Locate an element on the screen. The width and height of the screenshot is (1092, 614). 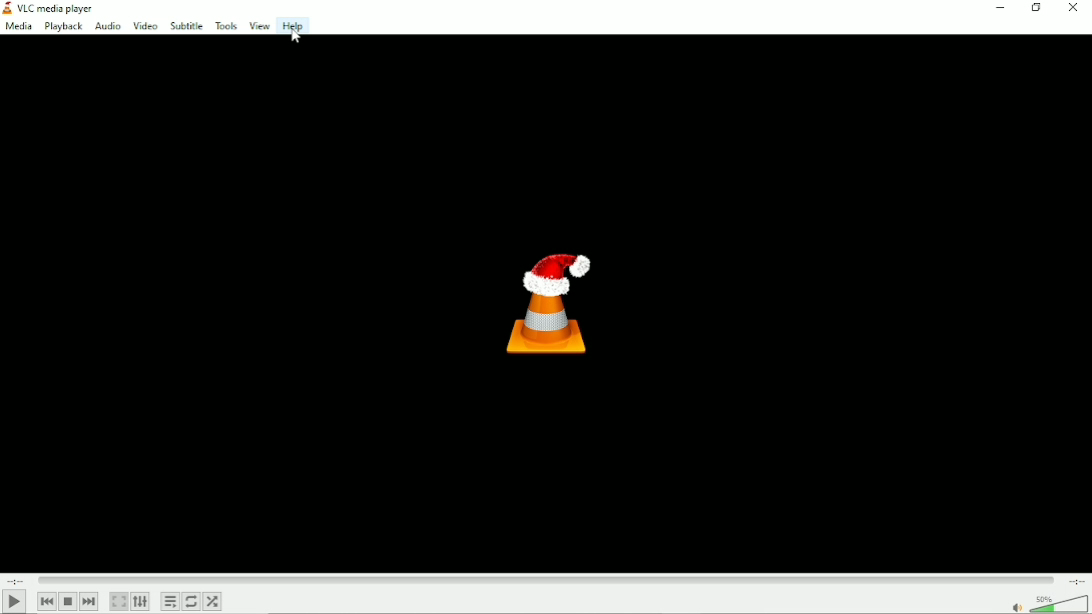
Previous is located at coordinates (47, 601).